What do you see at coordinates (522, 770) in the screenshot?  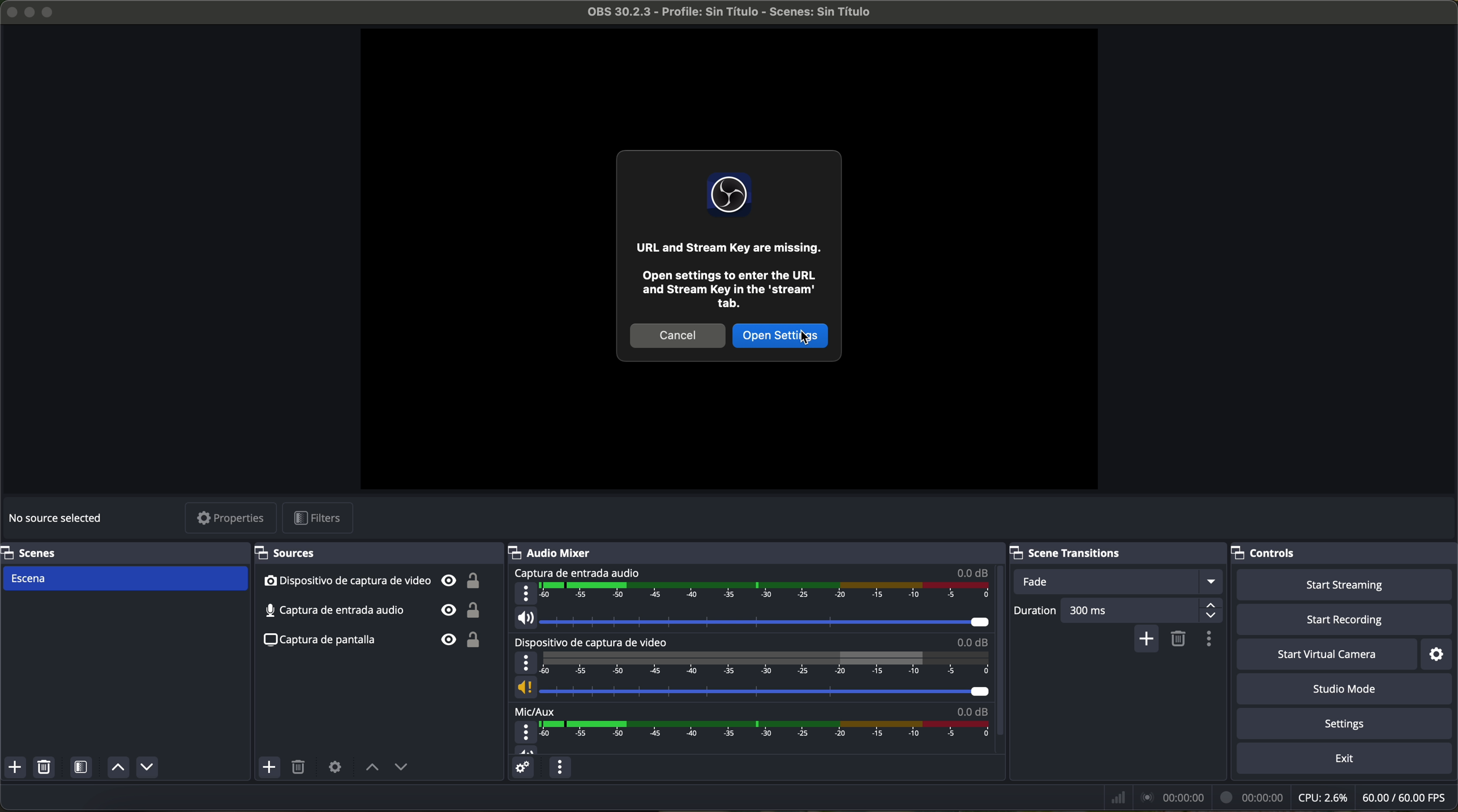 I see `advanced audio properties` at bounding box center [522, 770].